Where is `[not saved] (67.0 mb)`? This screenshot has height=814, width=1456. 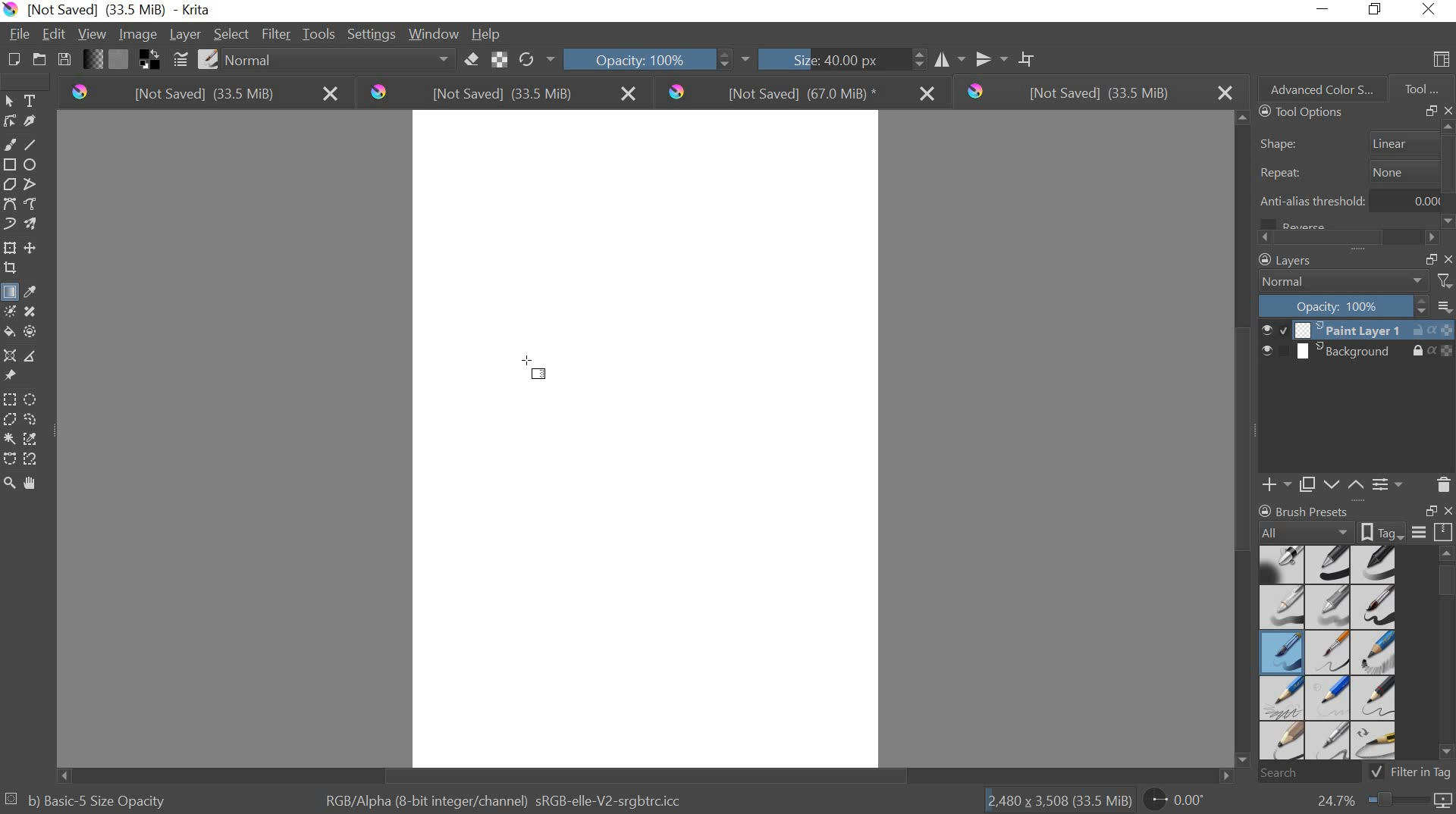
[not saved] (67.0 mb) is located at coordinates (800, 92).